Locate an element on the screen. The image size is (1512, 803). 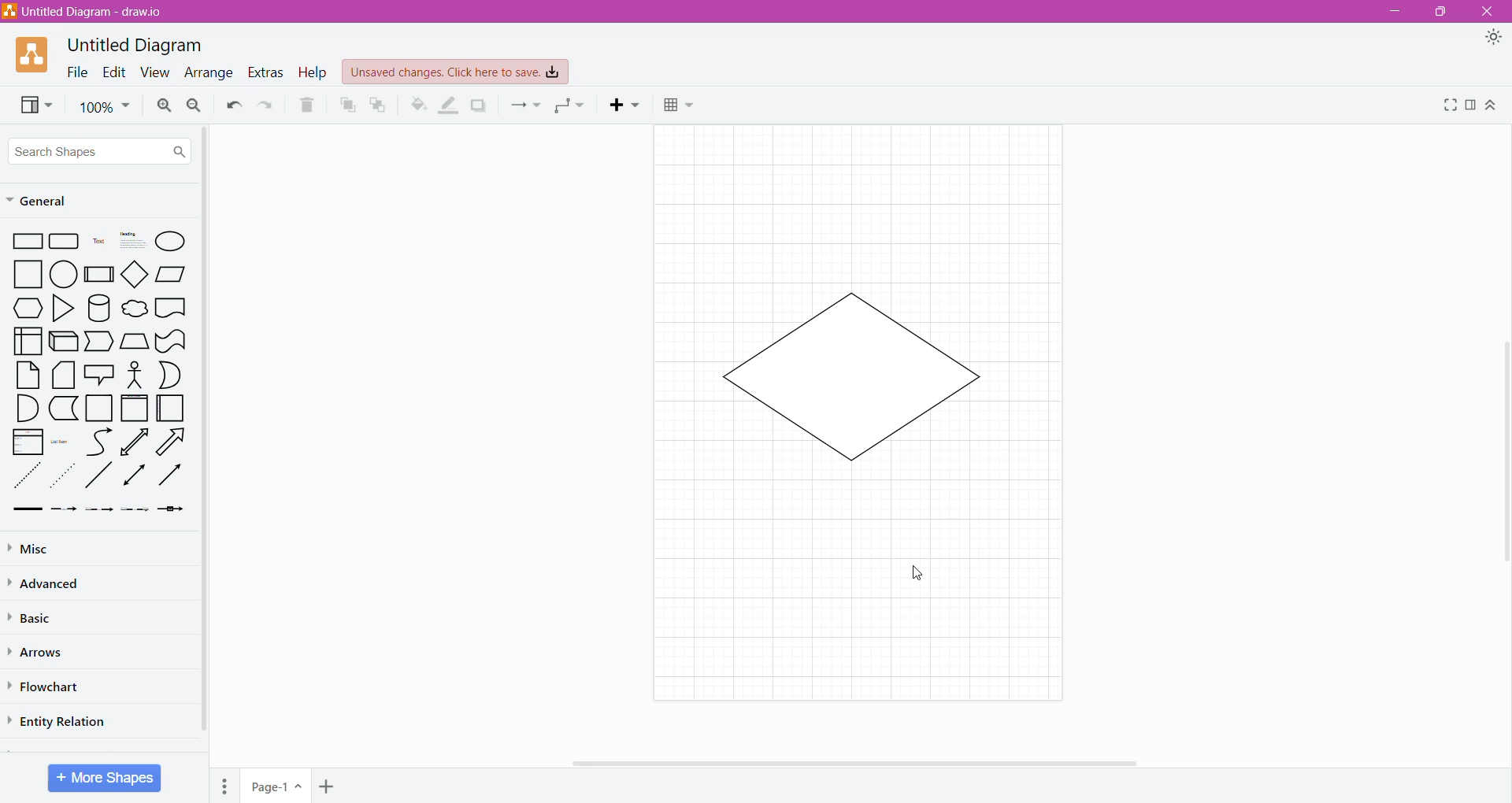
Shape locked on Canvas is located at coordinates (851, 375).